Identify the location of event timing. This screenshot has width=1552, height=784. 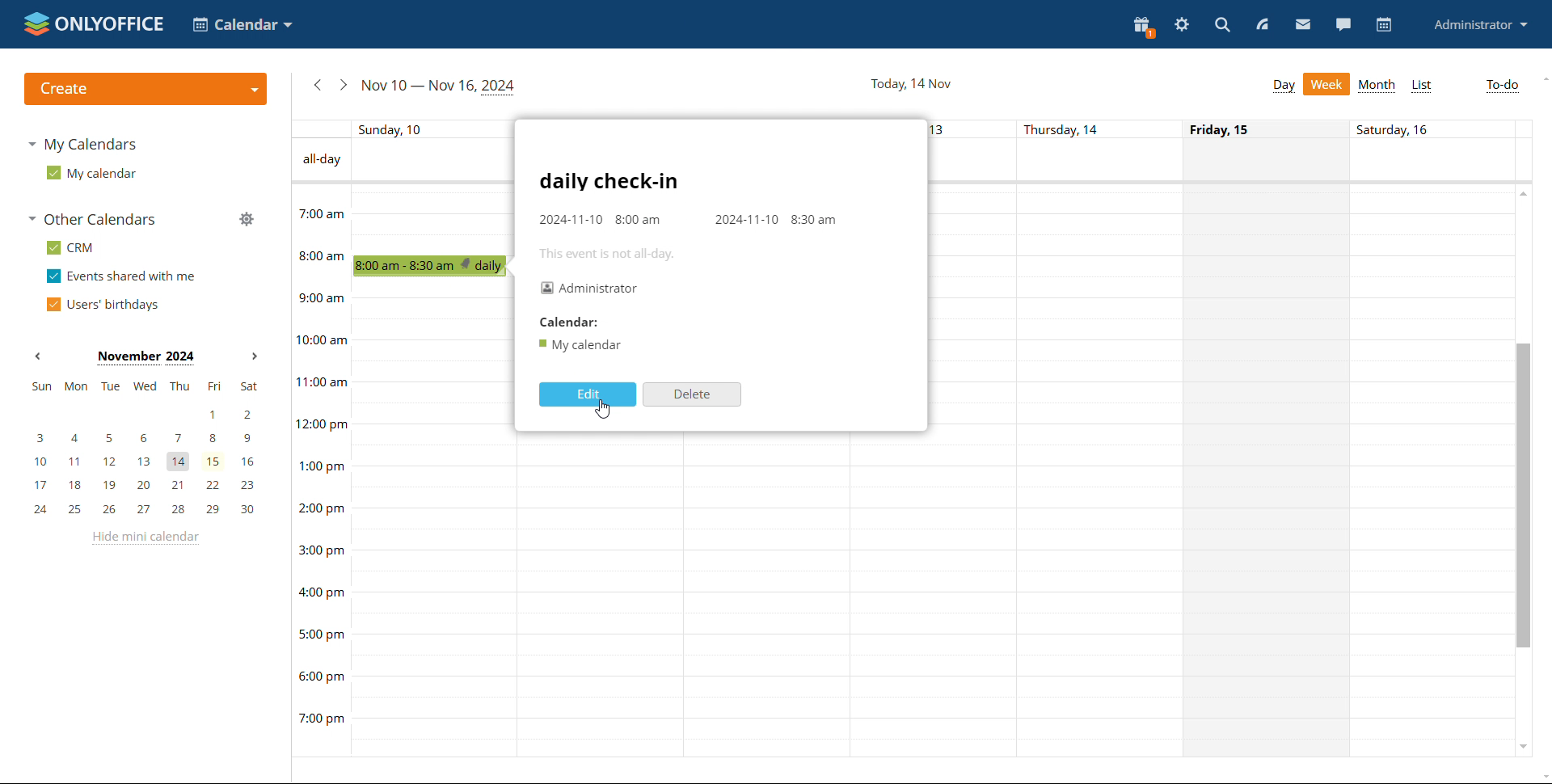
(691, 220).